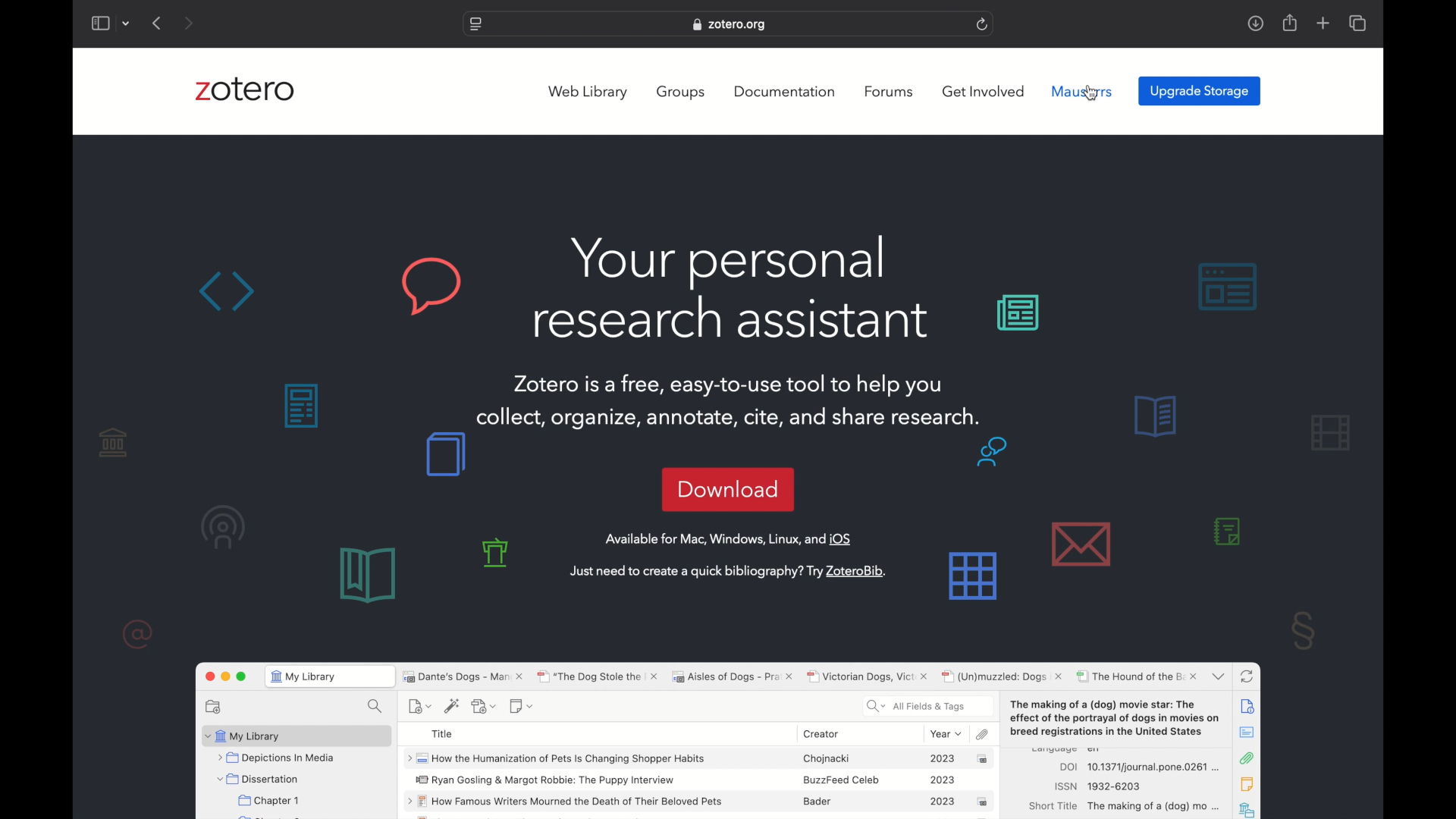 This screenshot has height=819, width=1456. What do you see at coordinates (731, 25) in the screenshot?
I see `website address` at bounding box center [731, 25].